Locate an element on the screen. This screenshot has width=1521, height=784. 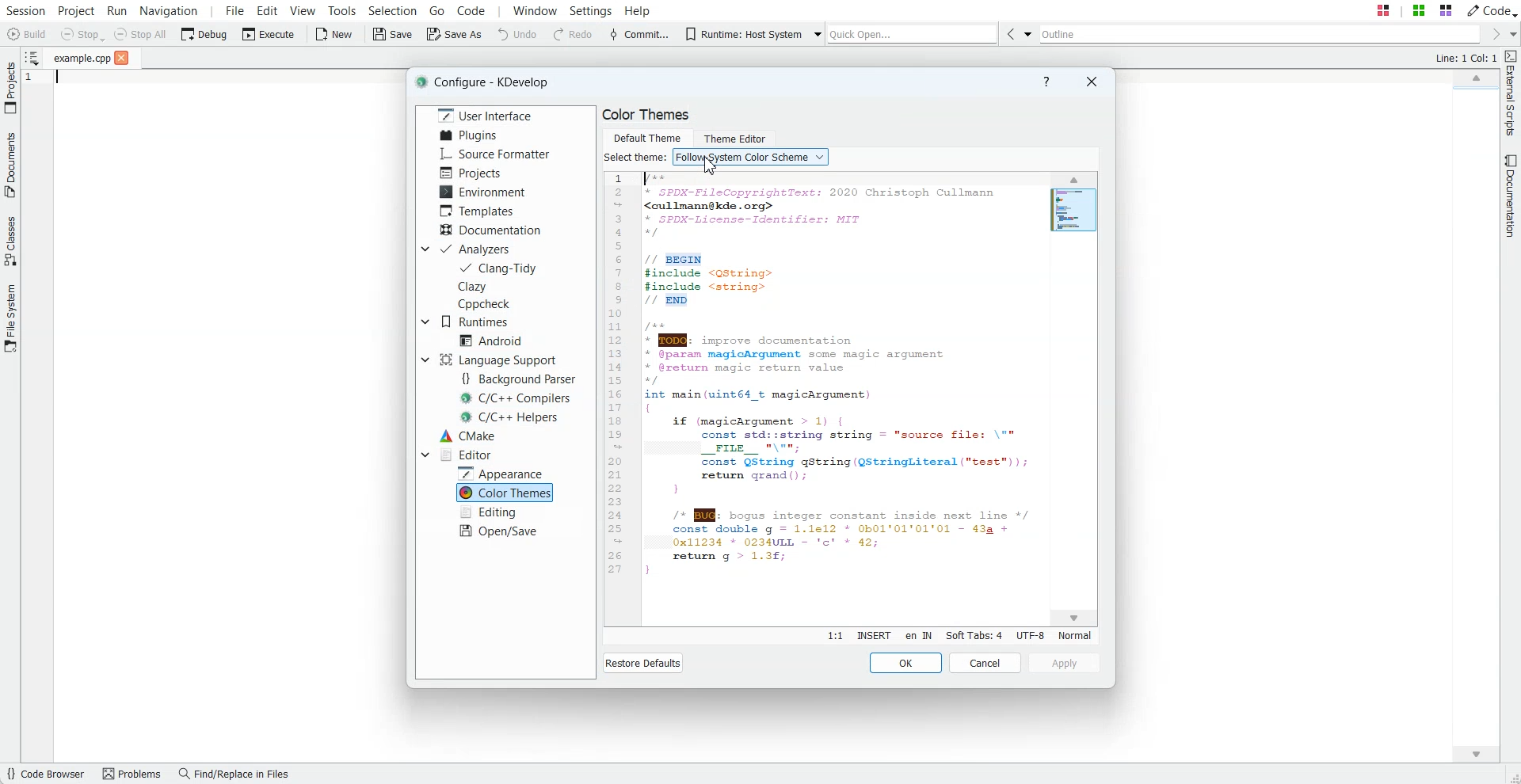
Stop All is located at coordinates (141, 34).